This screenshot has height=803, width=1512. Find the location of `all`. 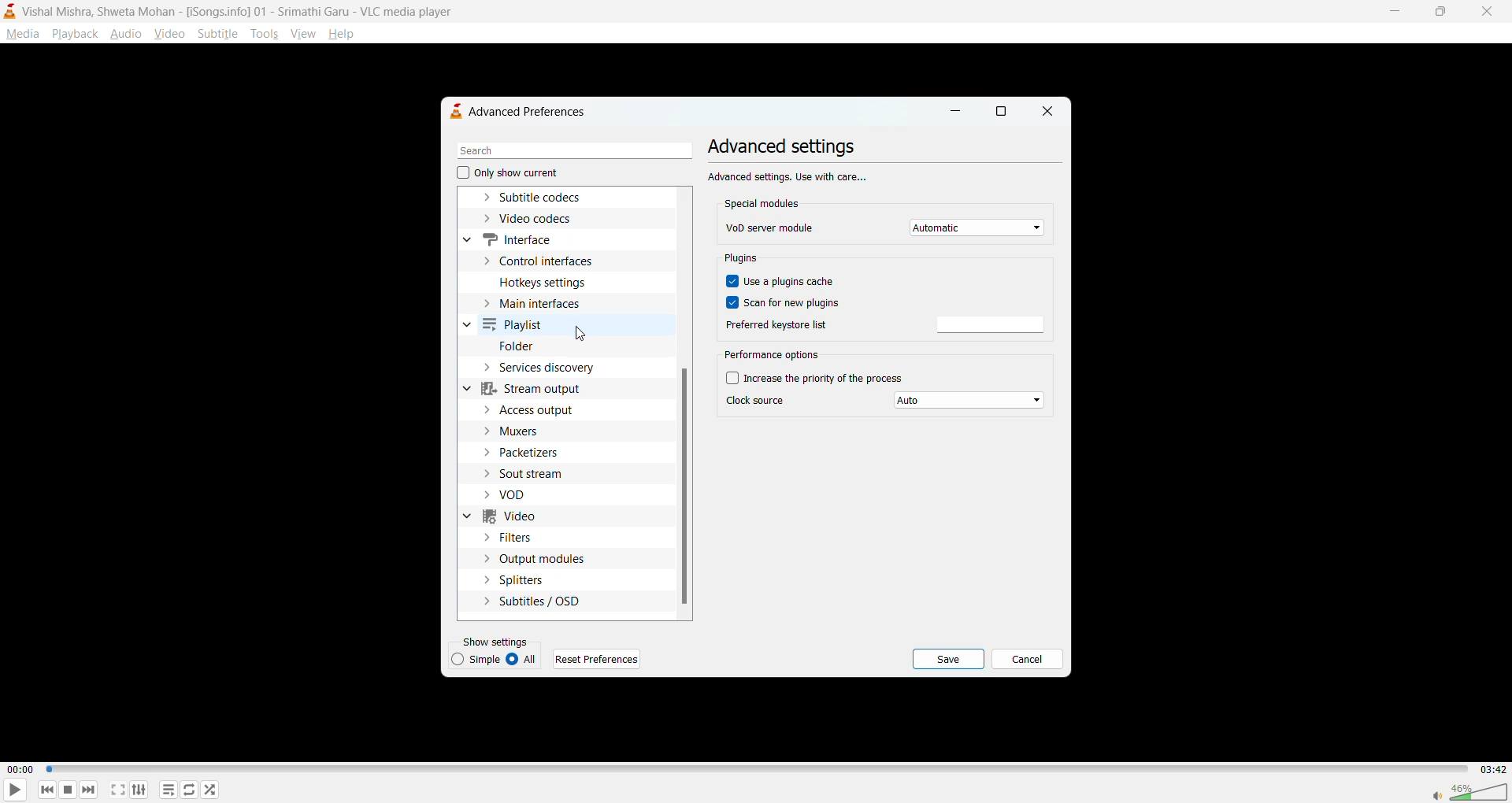

all is located at coordinates (525, 660).